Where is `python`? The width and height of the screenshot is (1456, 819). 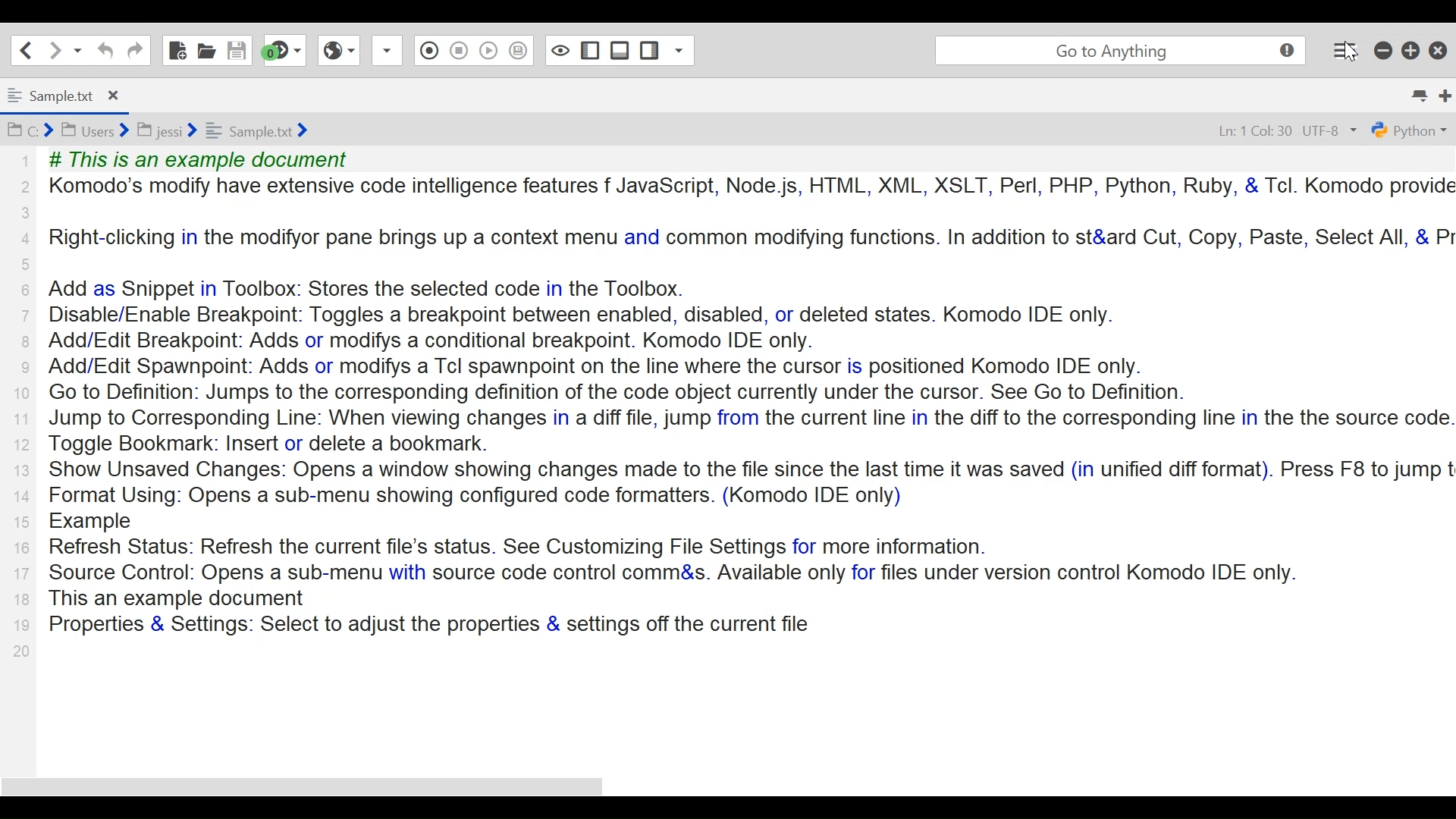 python is located at coordinates (1410, 131).